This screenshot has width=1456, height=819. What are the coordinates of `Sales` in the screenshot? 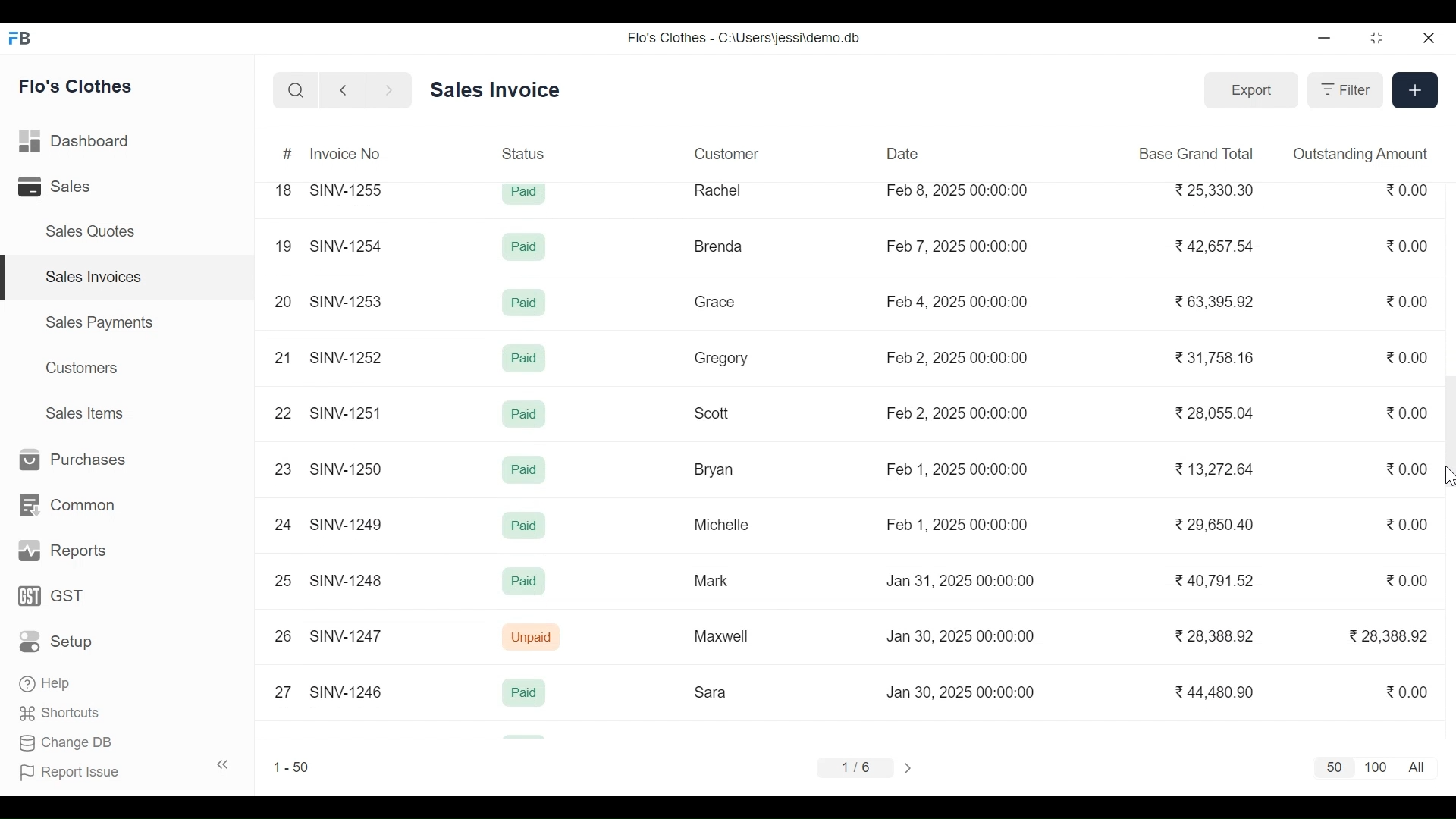 It's located at (58, 187).